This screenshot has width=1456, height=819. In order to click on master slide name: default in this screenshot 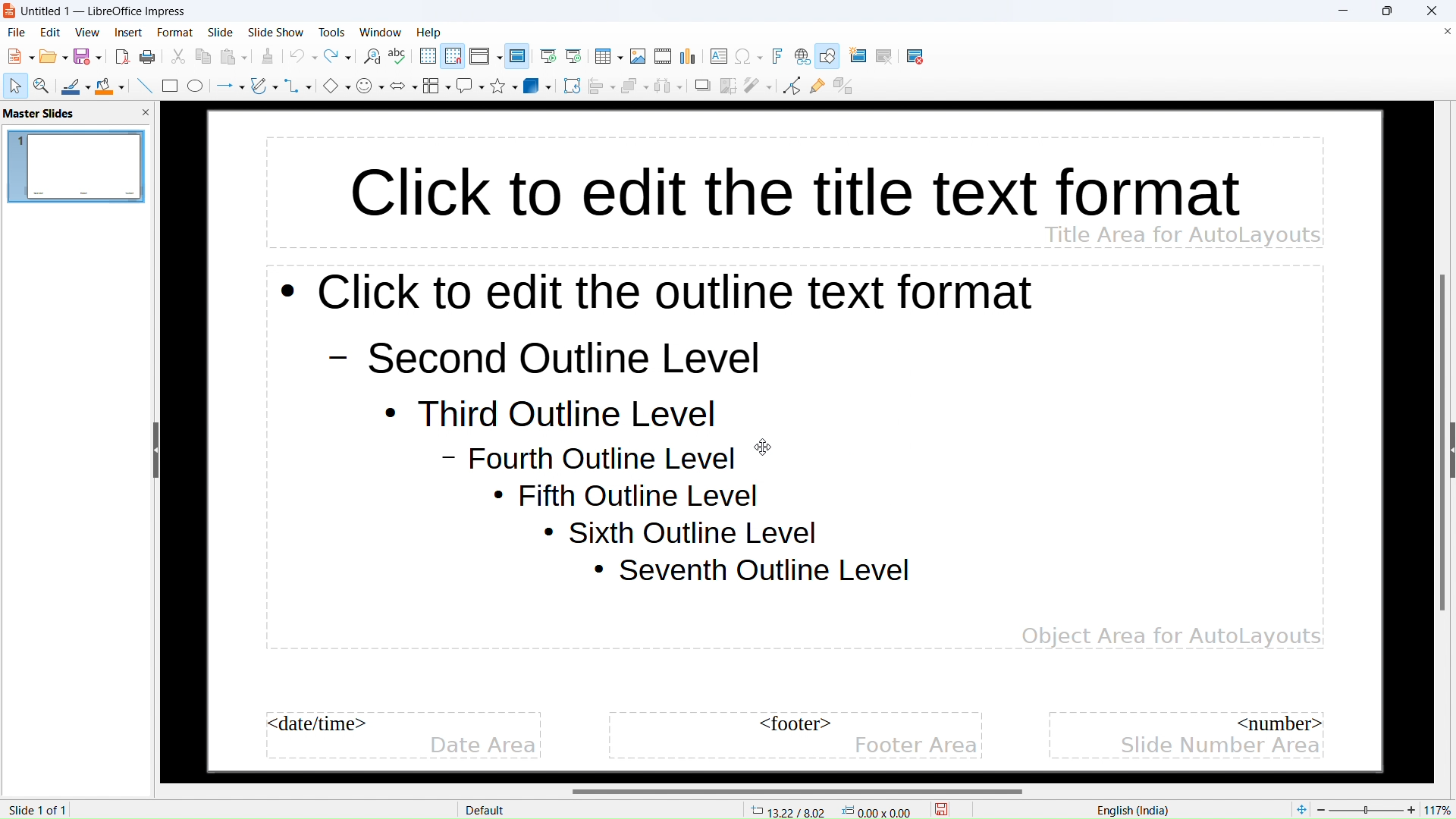, I will do `click(74, 166)`.